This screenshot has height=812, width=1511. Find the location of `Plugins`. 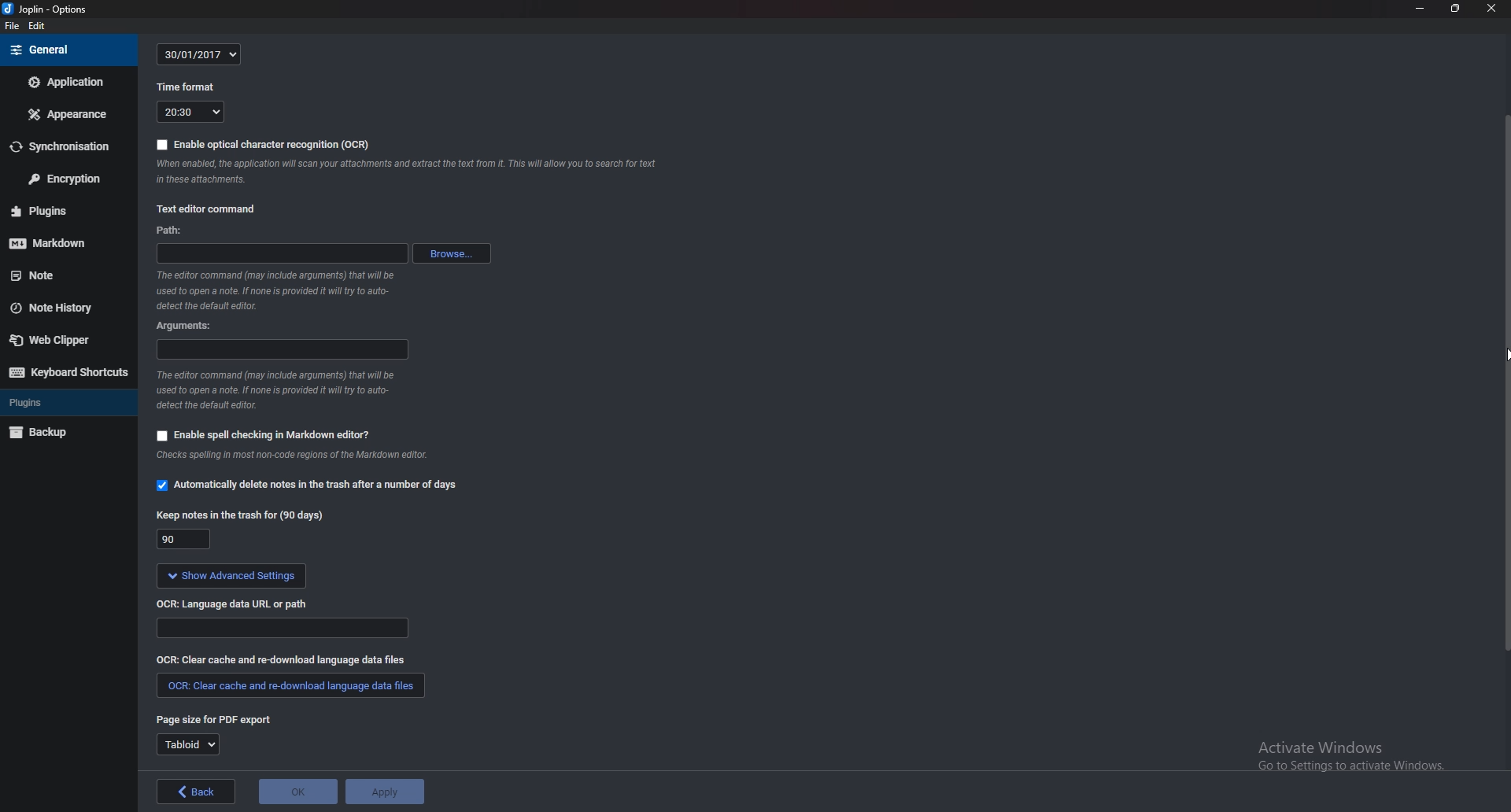

Plugins is located at coordinates (48, 212).